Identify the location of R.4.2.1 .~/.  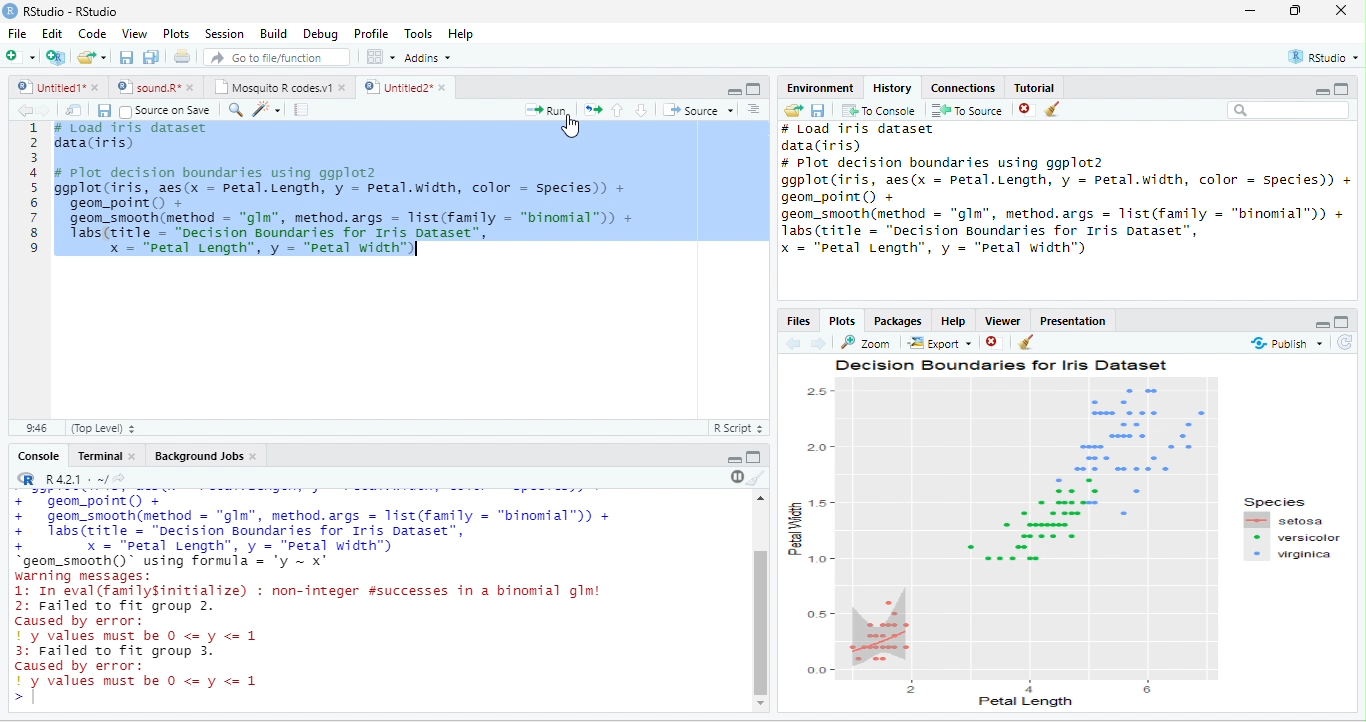
(71, 480).